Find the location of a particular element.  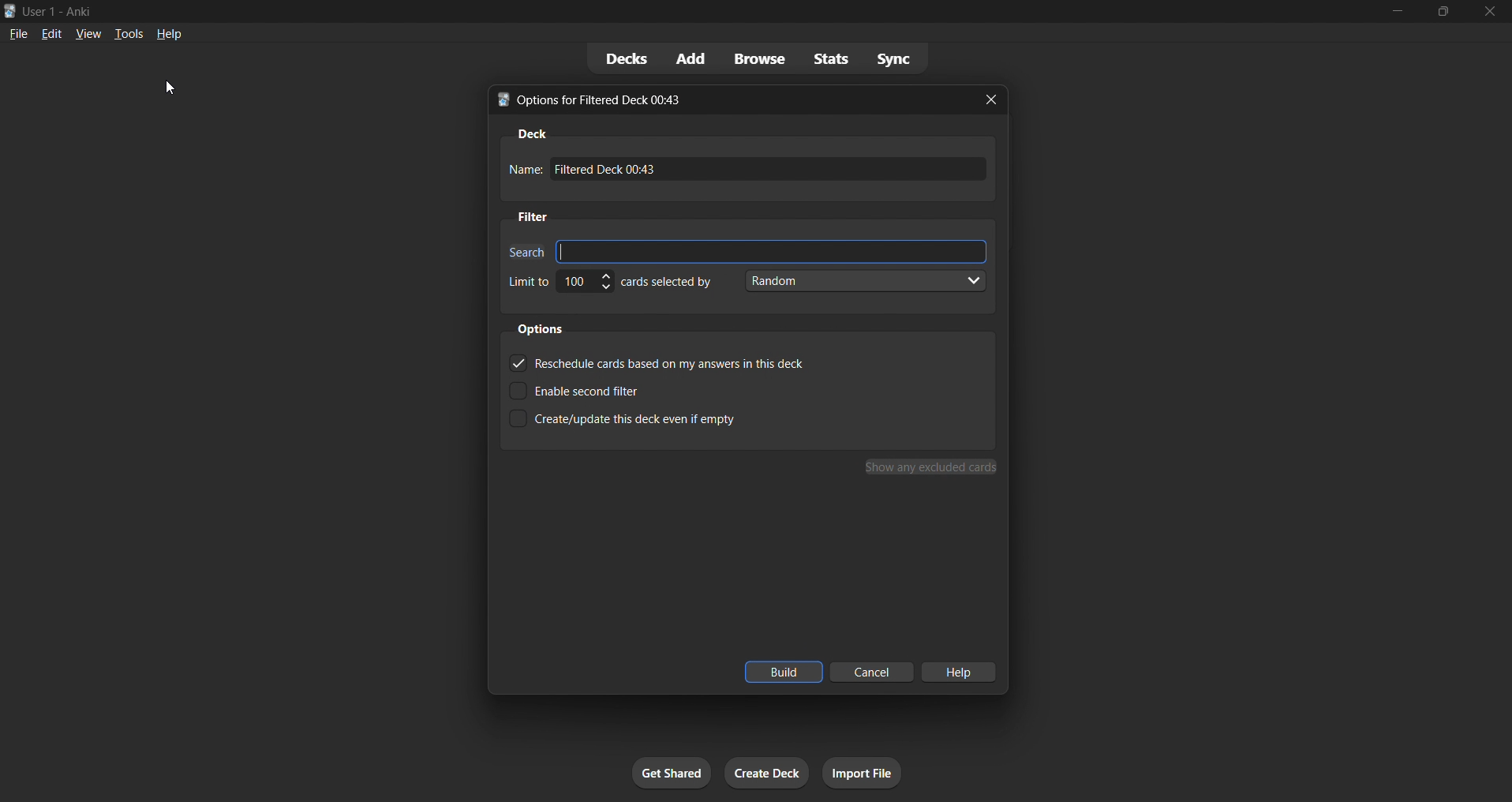

card selected by is located at coordinates (672, 283).